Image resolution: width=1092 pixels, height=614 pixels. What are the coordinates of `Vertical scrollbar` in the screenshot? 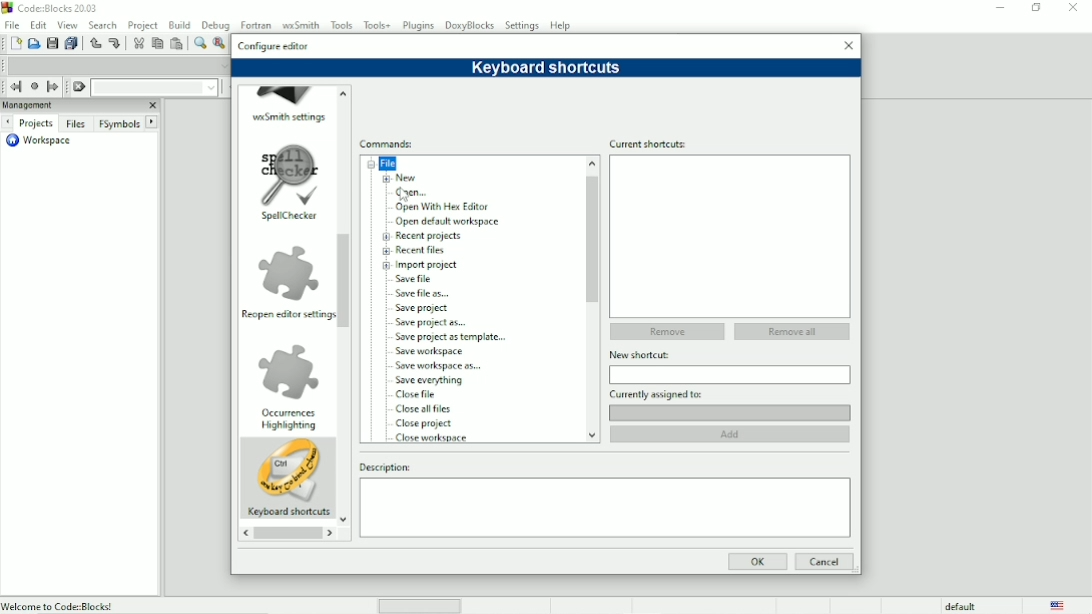 It's located at (345, 281).